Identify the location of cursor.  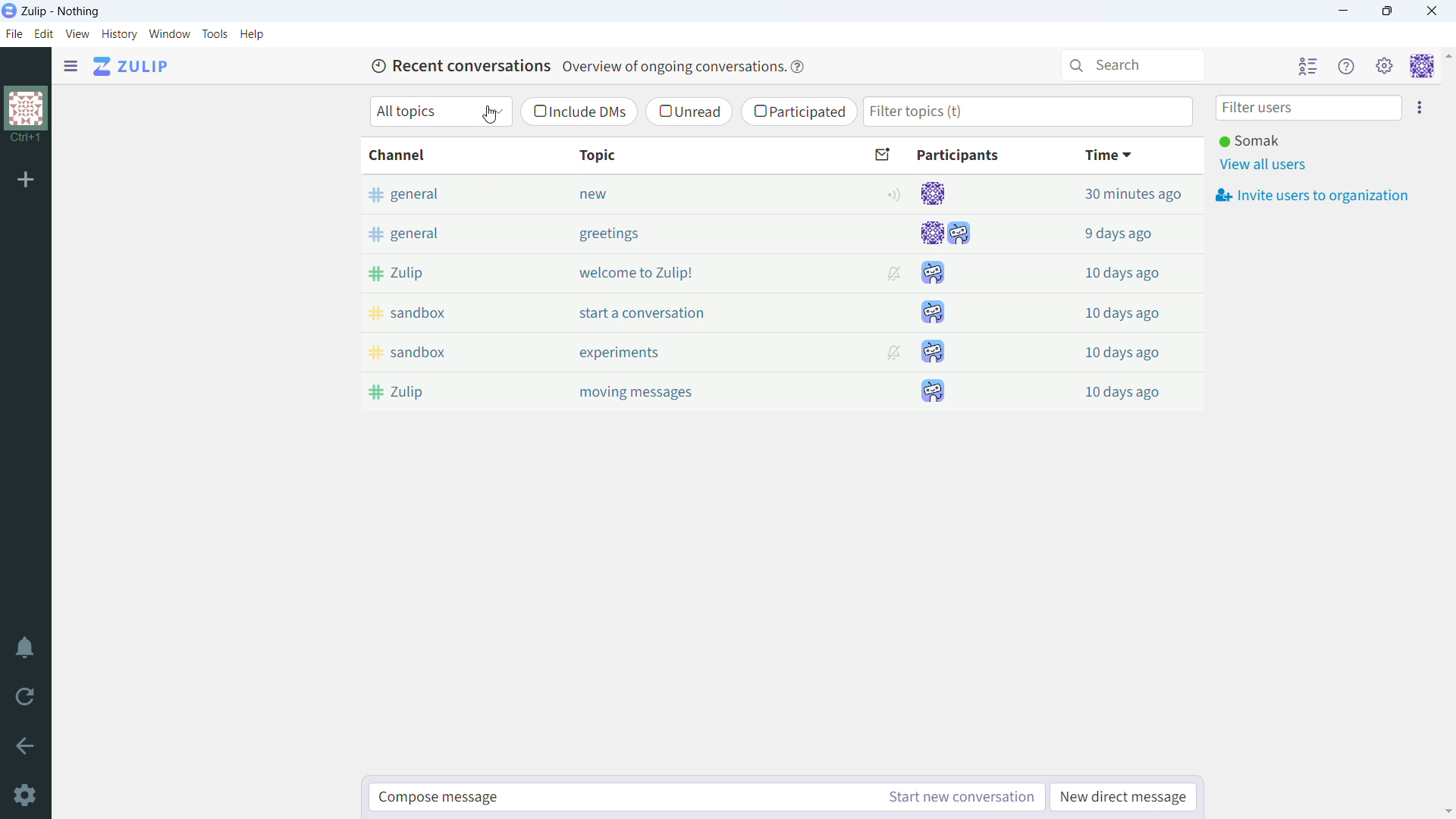
(490, 115).